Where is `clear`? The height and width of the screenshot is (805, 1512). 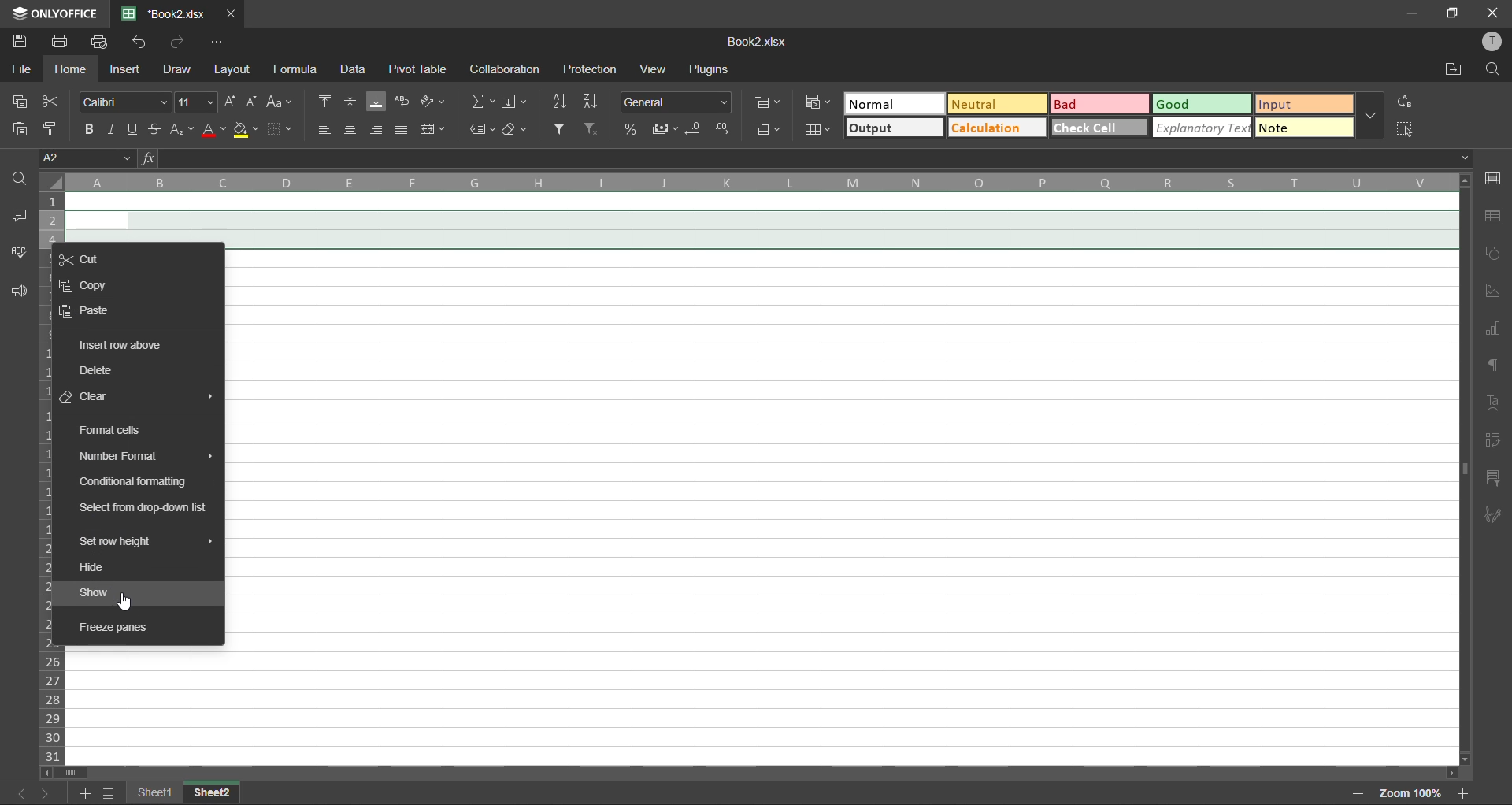 clear is located at coordinates (517, 129).